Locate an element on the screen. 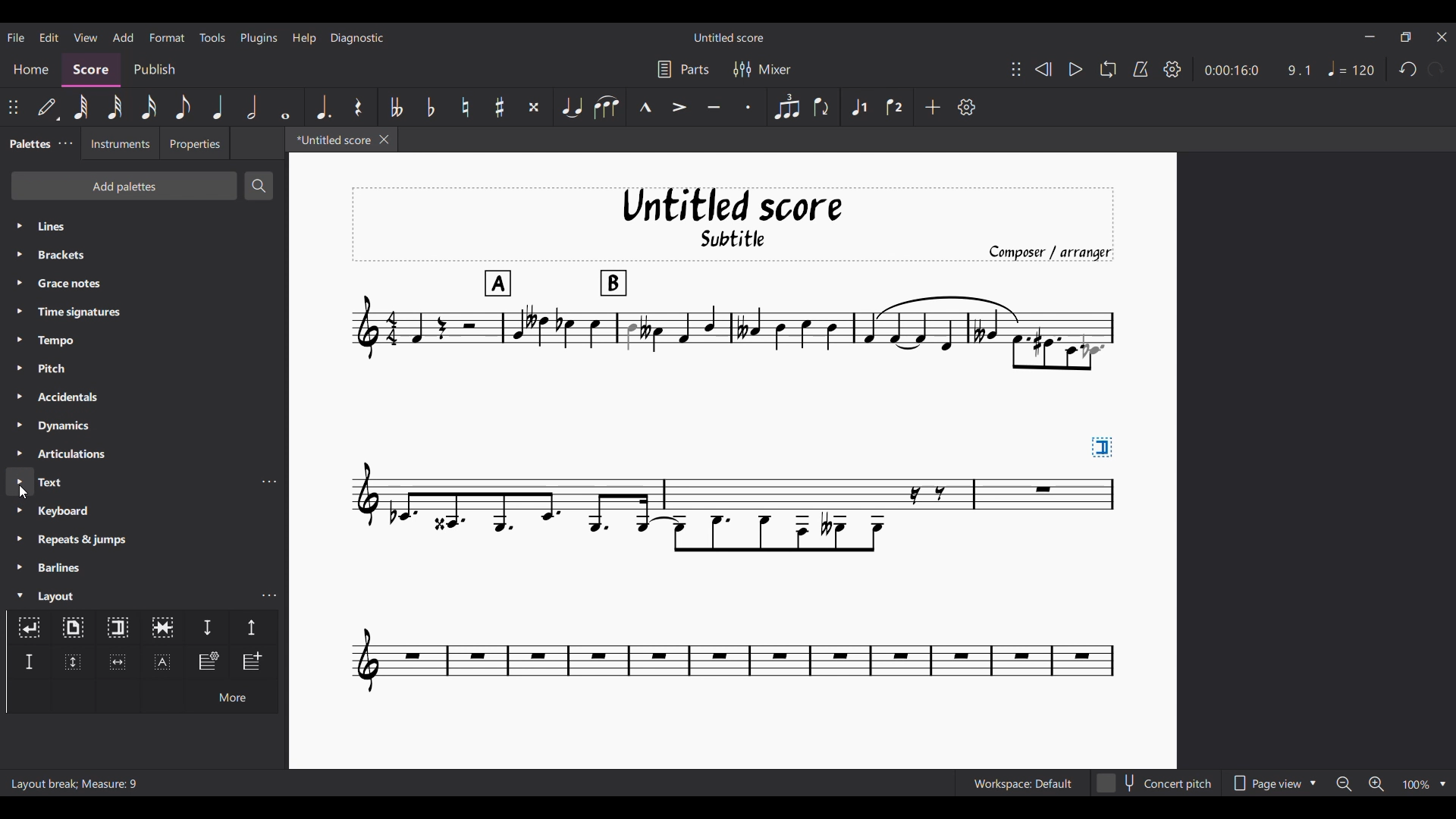 The width and height of the screenshot is (1456, 819). Tempo is located at coordinates (144, 340).